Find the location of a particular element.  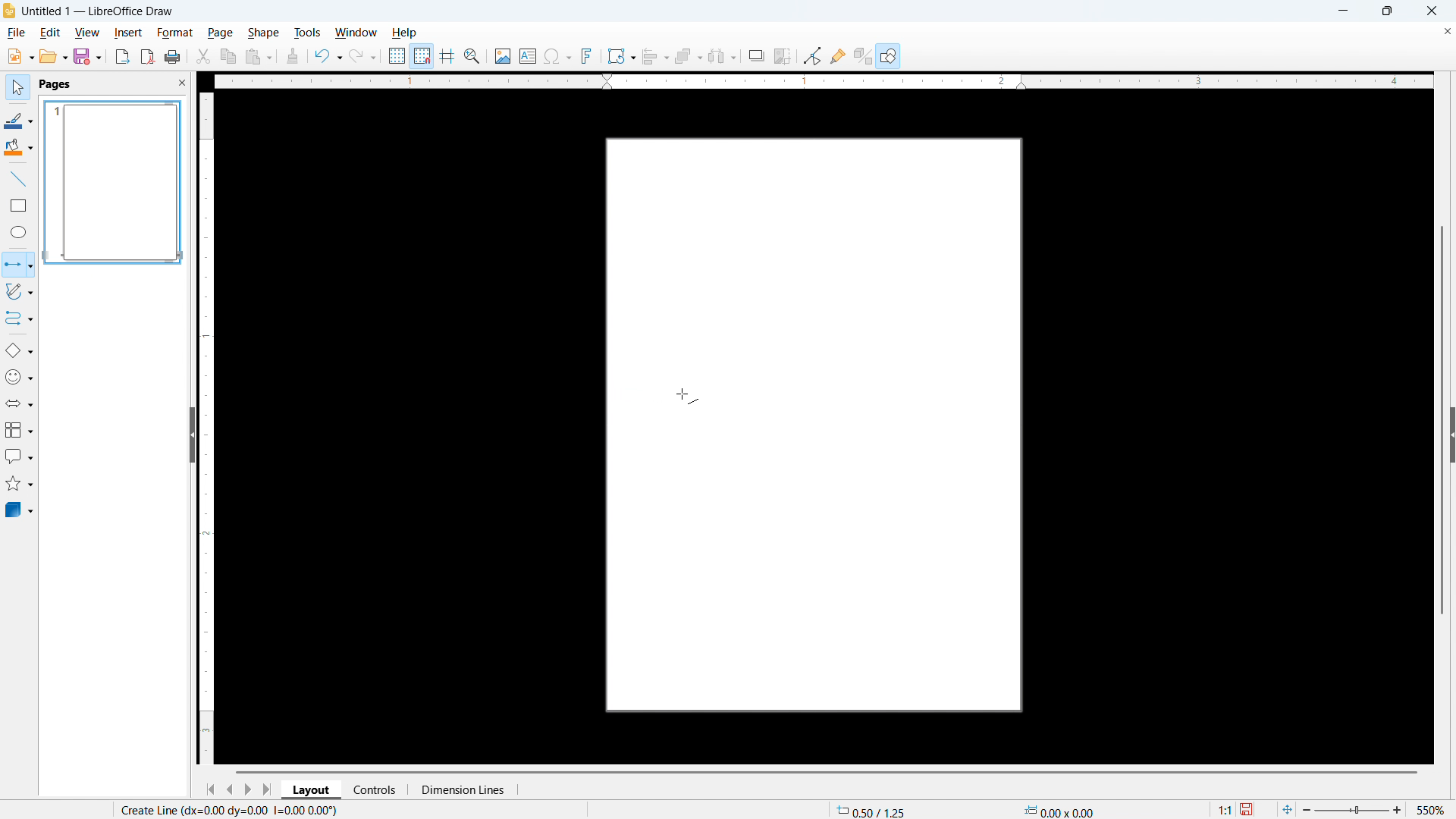

Insert symbols  is located at coordinates (558, 56).